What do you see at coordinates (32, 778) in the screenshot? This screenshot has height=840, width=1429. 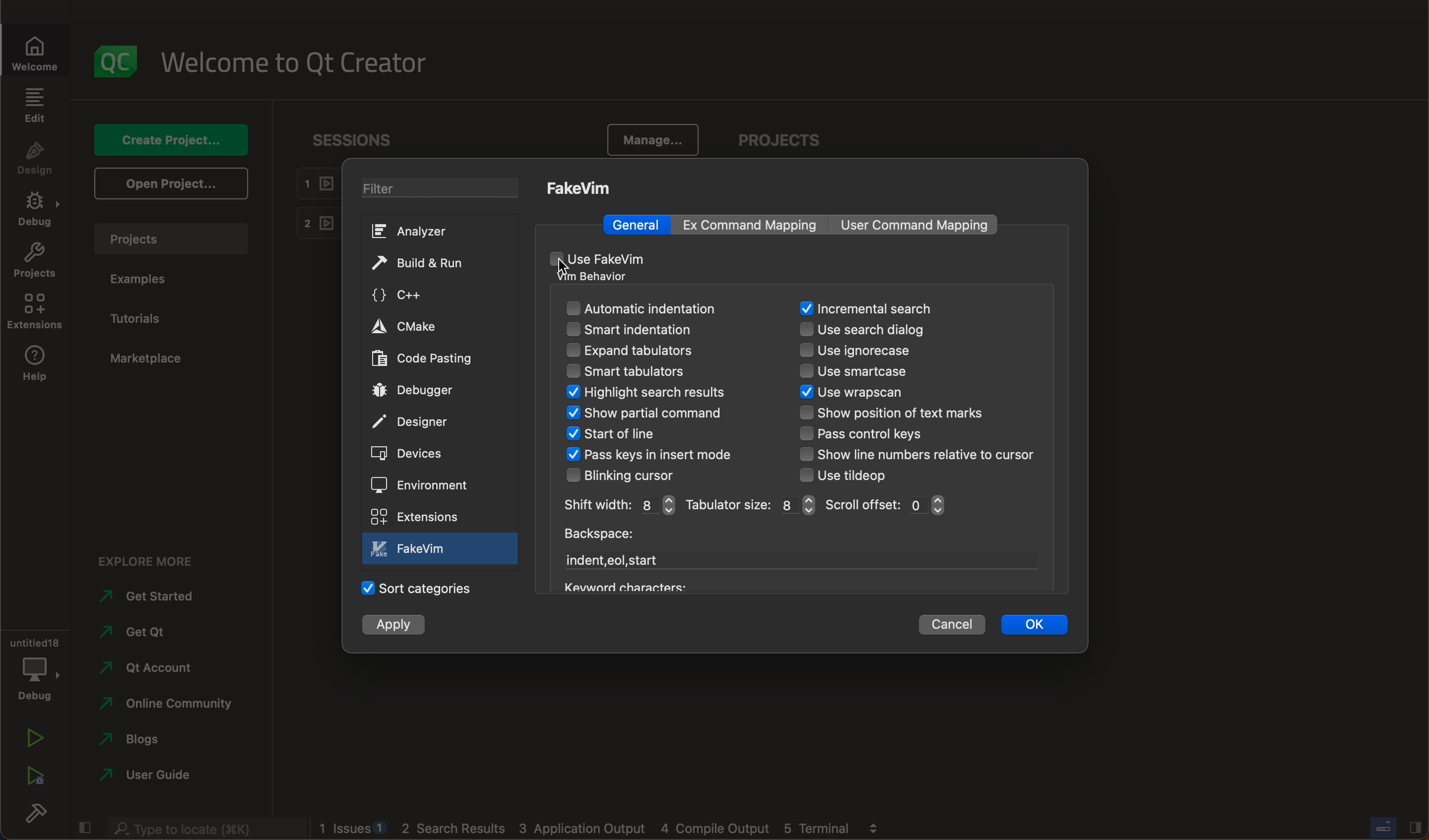 I see `run debug` at bounding box center [32, 778].